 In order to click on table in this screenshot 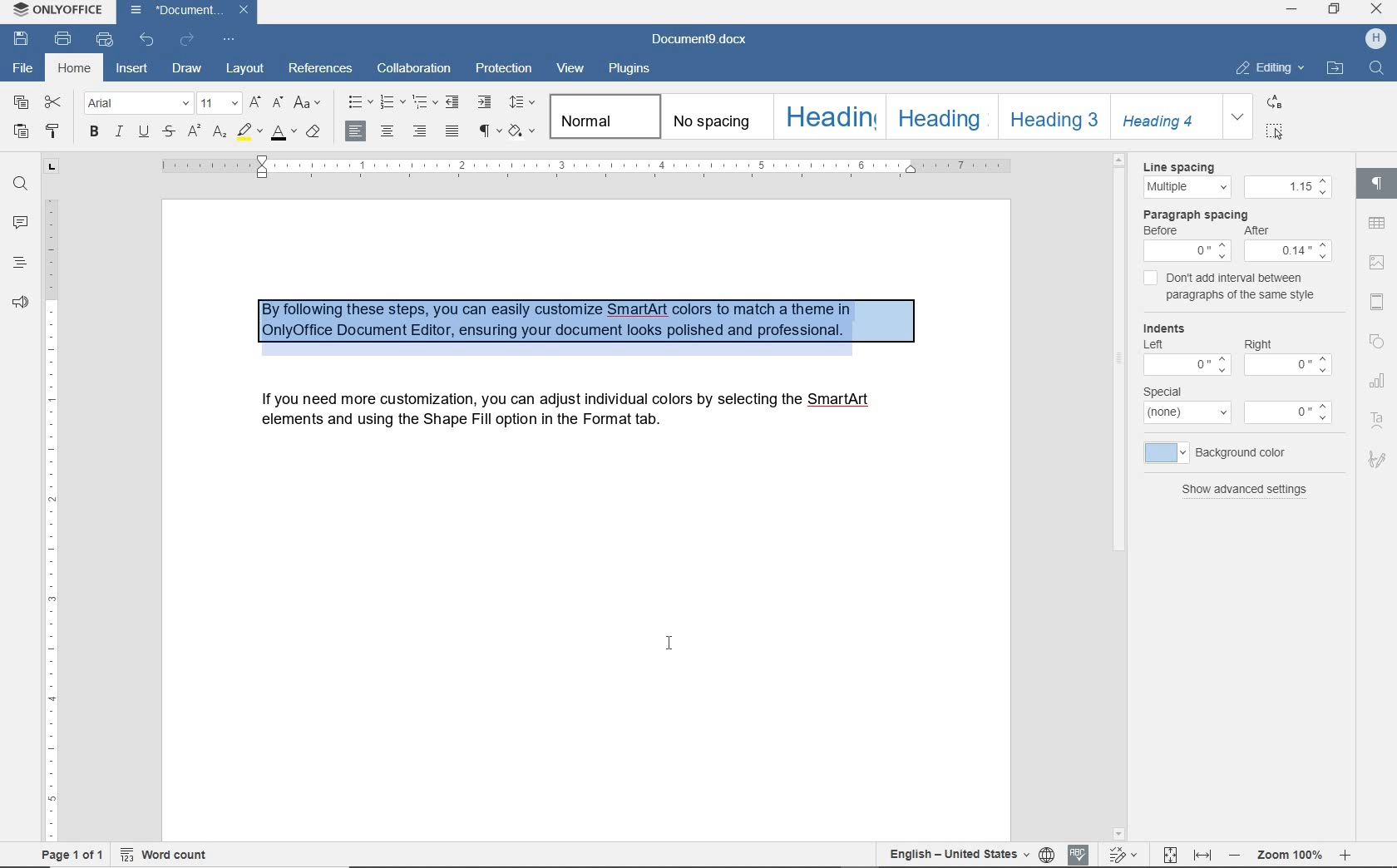, I will do `click(1380, 224)`.